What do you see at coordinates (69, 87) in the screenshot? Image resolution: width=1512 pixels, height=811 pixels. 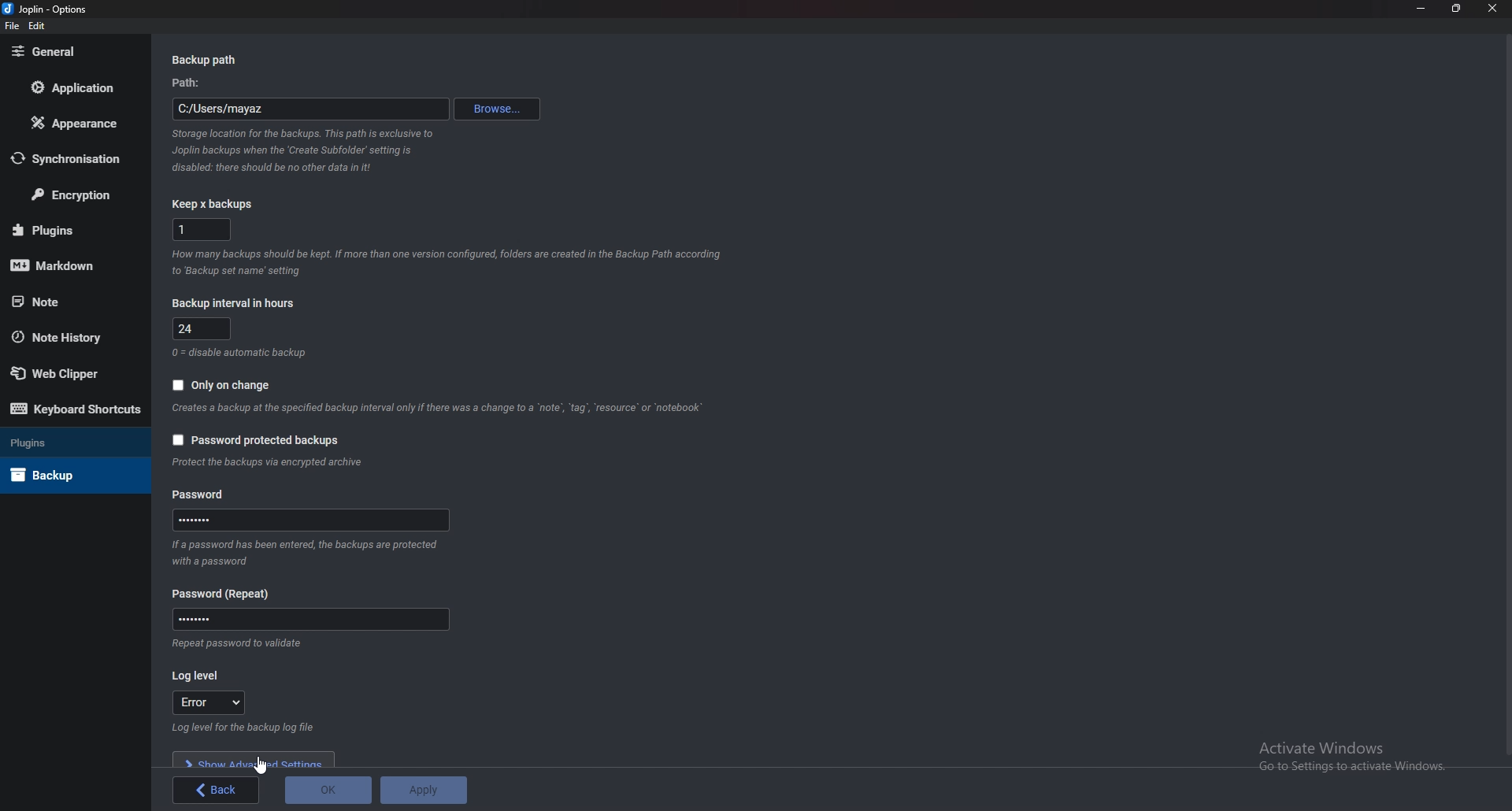 I see `Application` at bounding box center [69, 87].